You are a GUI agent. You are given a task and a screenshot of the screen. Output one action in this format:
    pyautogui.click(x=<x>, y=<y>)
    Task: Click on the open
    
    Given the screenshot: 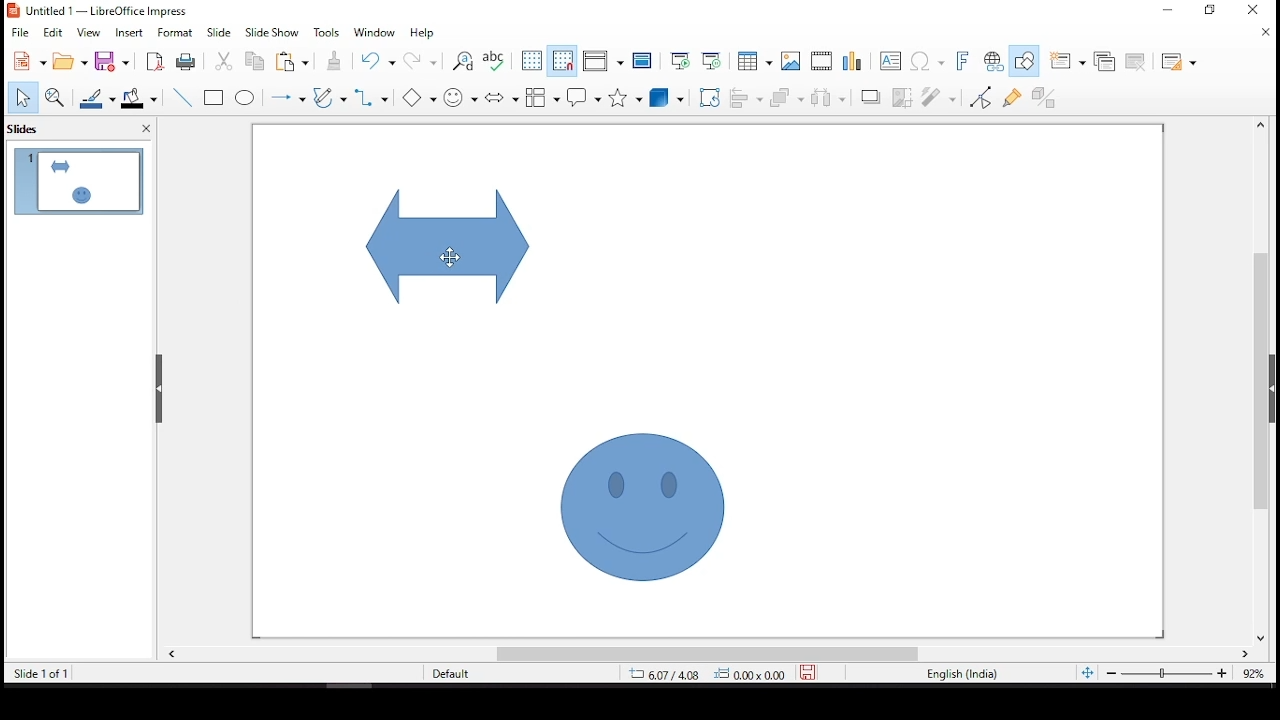 What is the action you would take?
    pyautogui.click(x=71, y=62)
    